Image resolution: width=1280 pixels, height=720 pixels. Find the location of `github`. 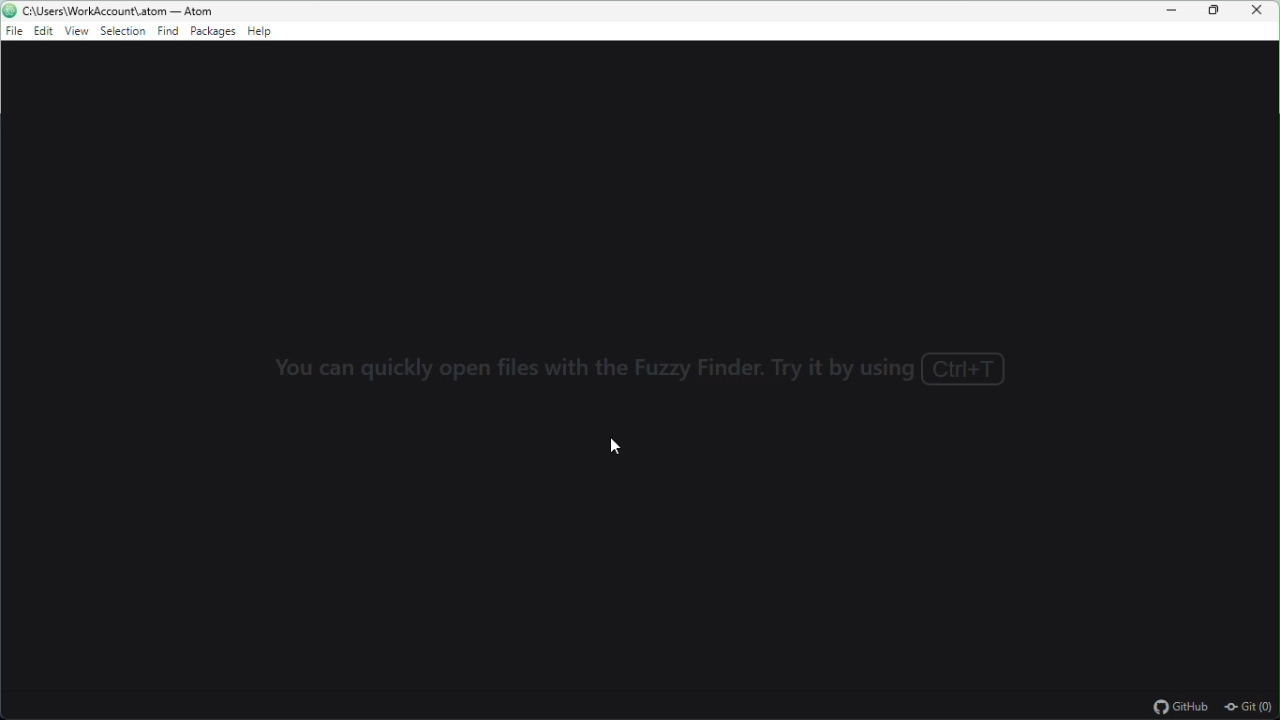

github is located at coordinates (1181, 708).